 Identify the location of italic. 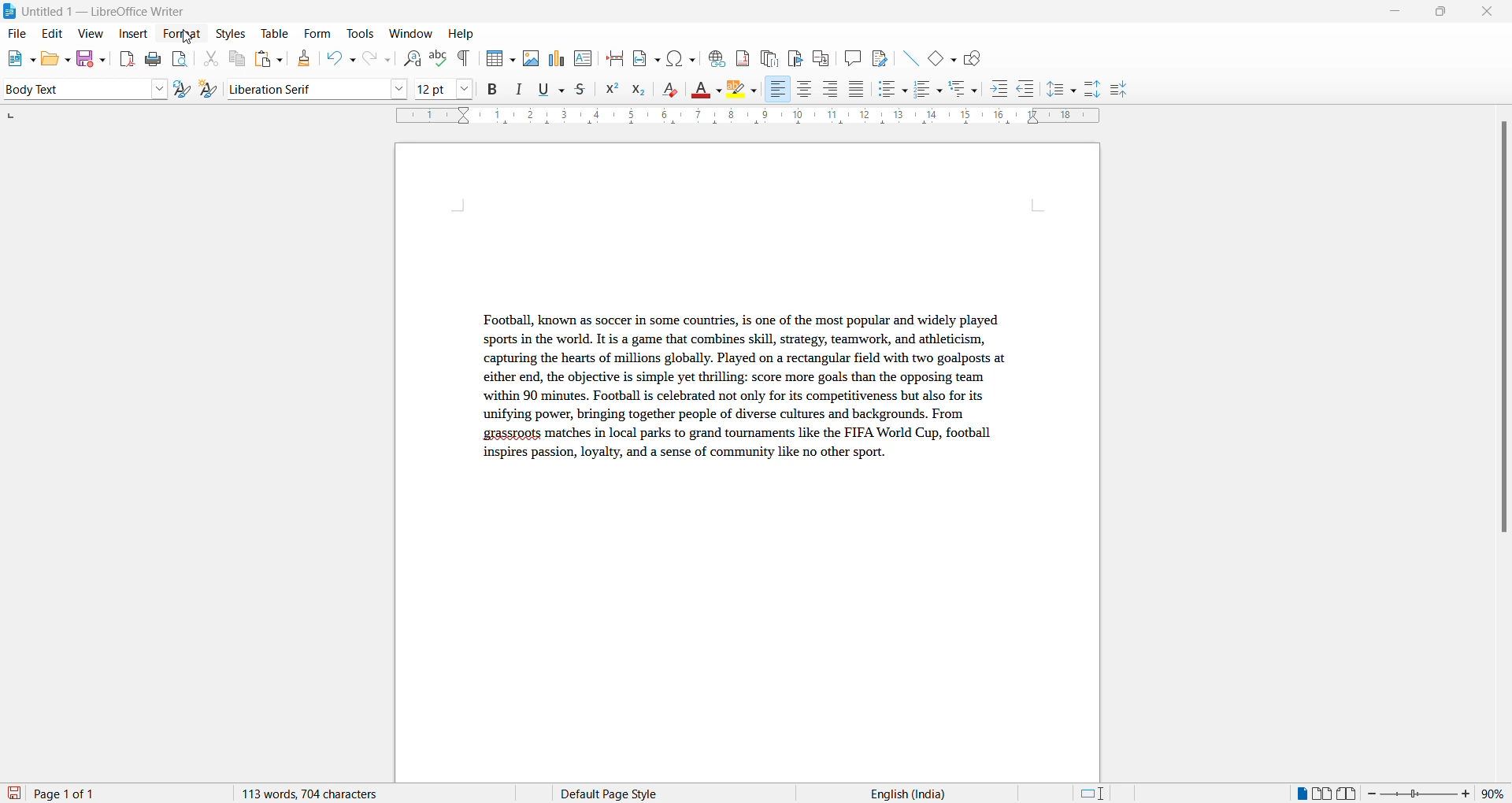
(522, 90).